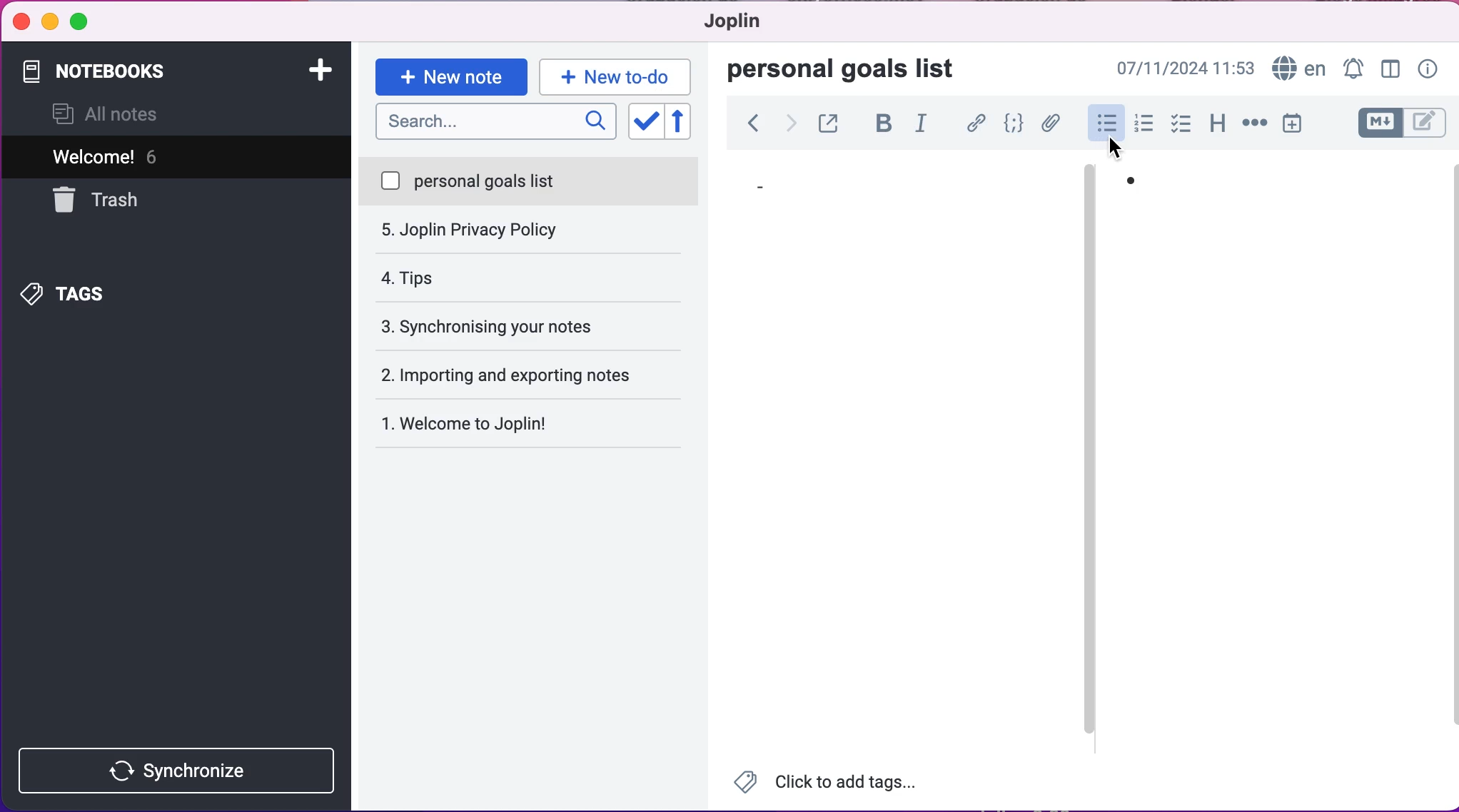  I want to click on bullet 1, so click(771, 187).